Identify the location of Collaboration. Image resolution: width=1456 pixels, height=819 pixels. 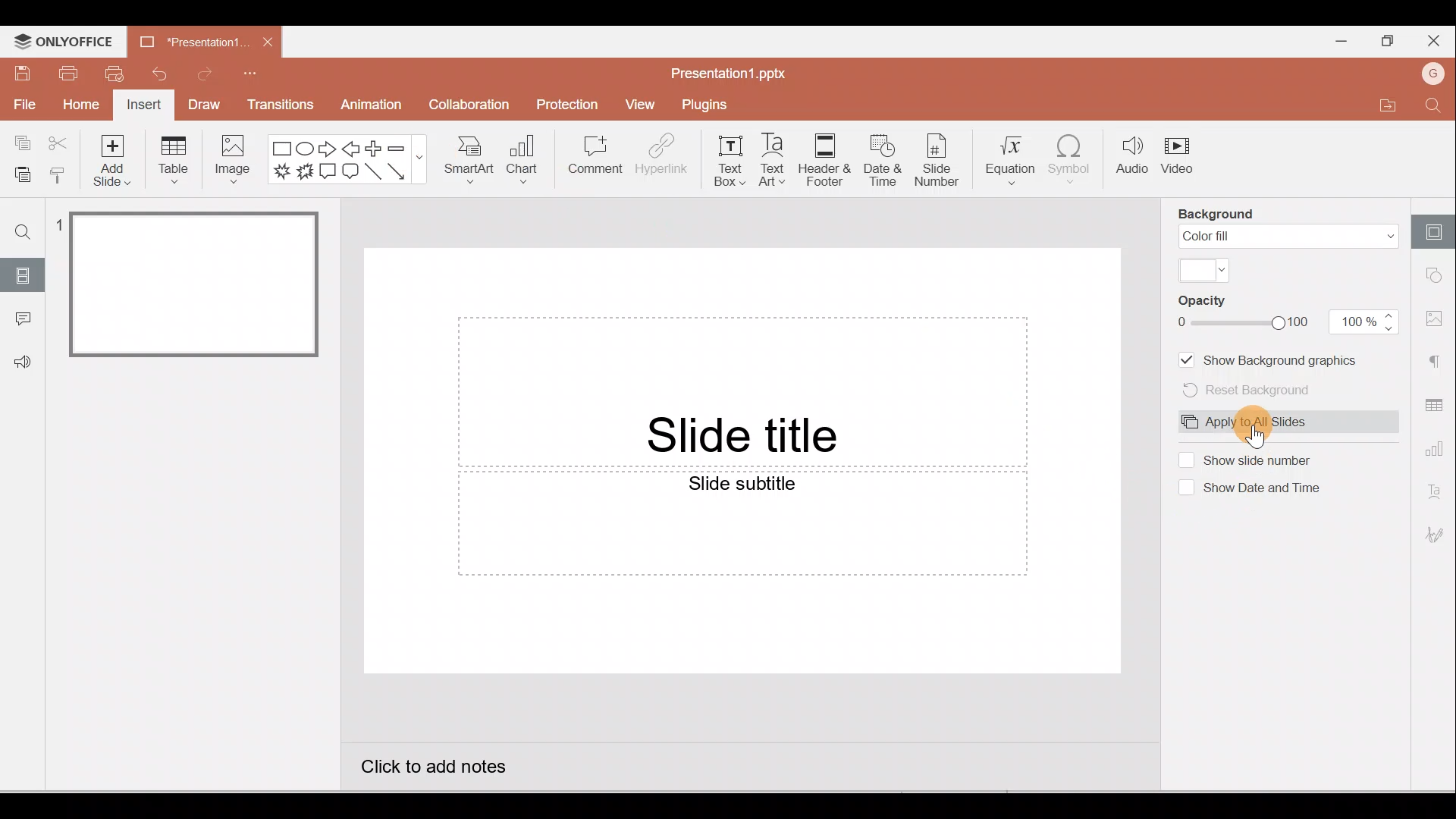
(478, 103).